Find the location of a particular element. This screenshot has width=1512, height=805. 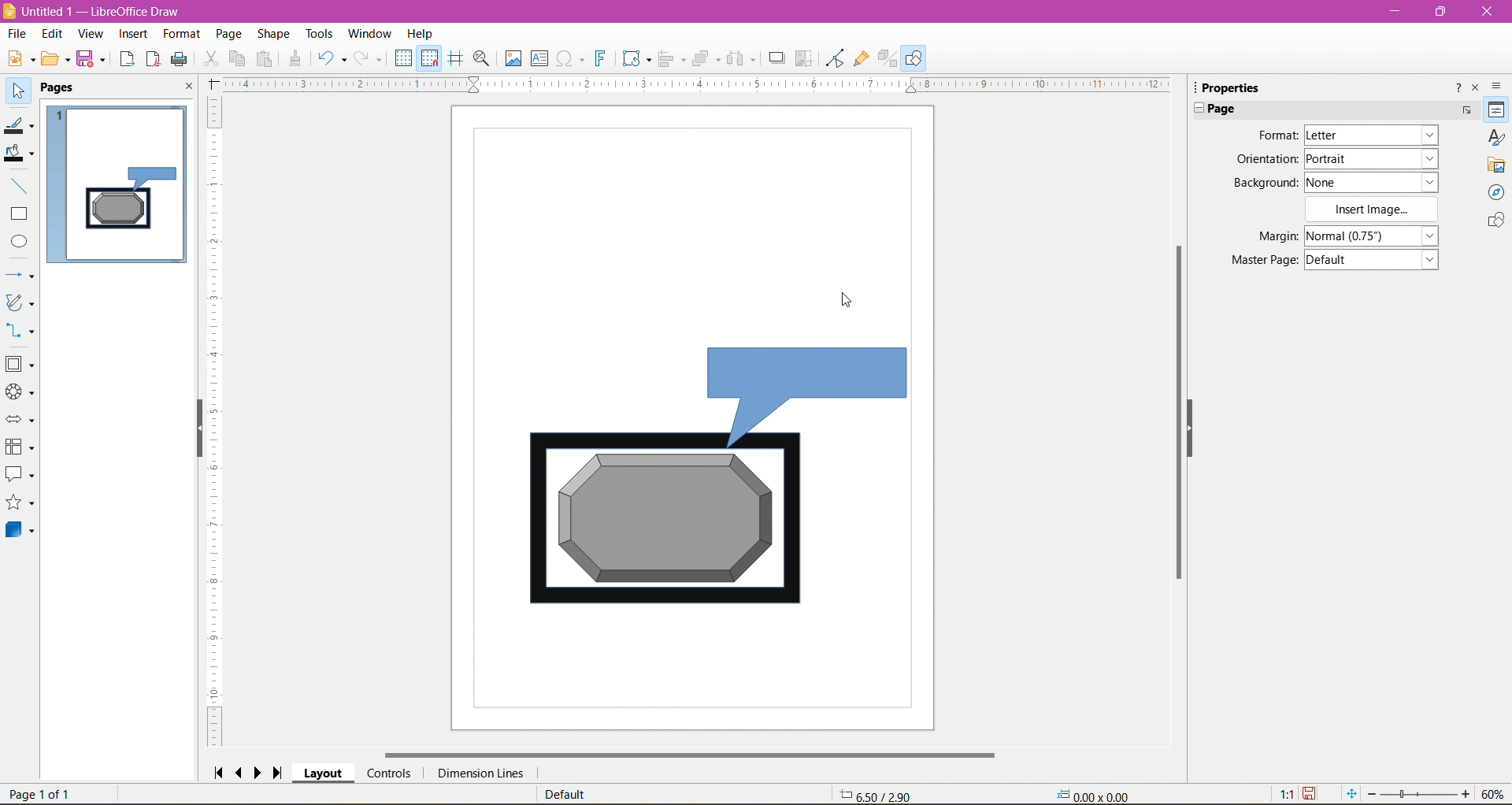

Cursor after action is located at coordinates (847, 300).